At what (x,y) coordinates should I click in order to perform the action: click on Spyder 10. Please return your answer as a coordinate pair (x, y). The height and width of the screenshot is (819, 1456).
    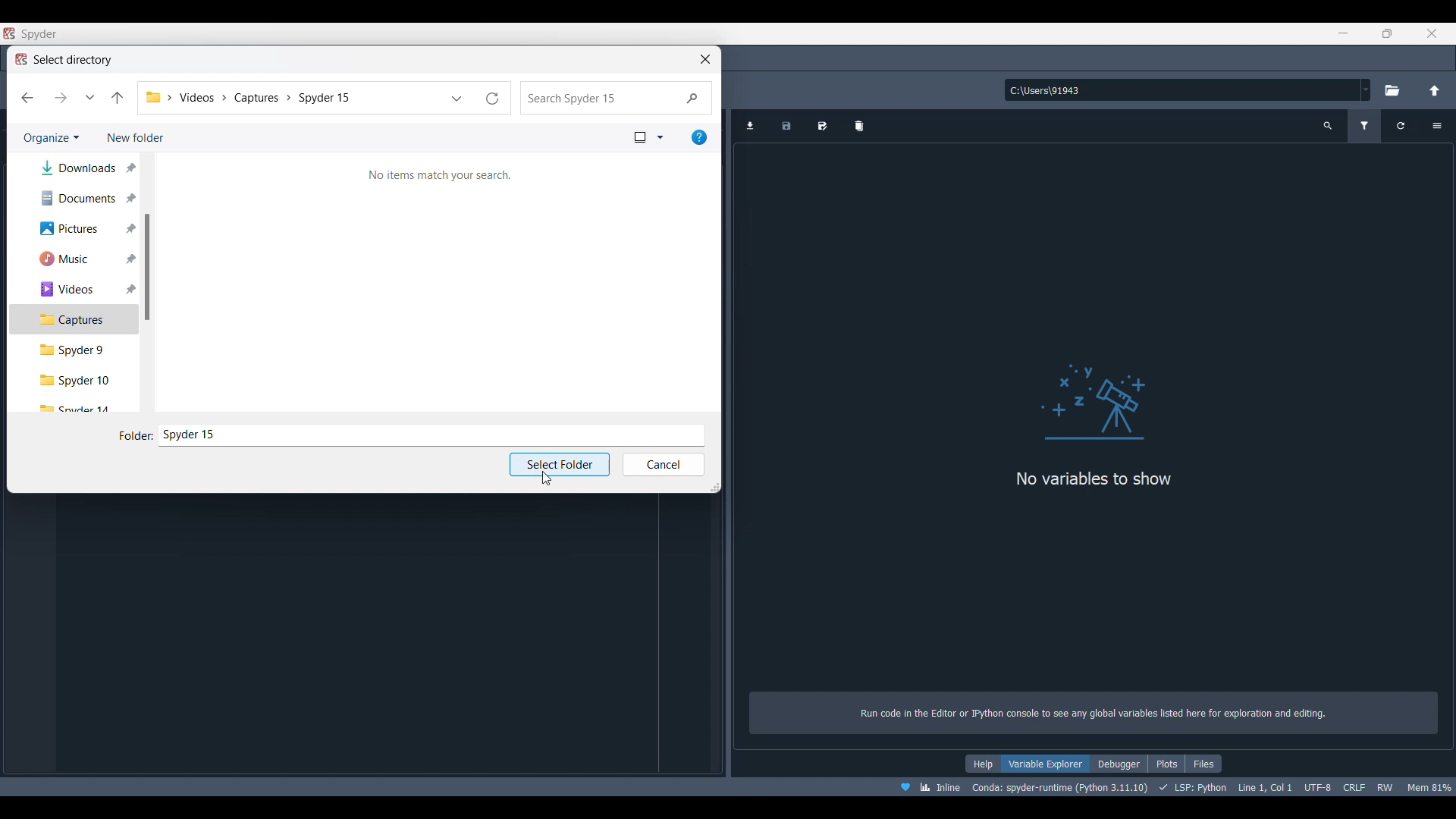
    Looking at the image, I should click on (76, 380).